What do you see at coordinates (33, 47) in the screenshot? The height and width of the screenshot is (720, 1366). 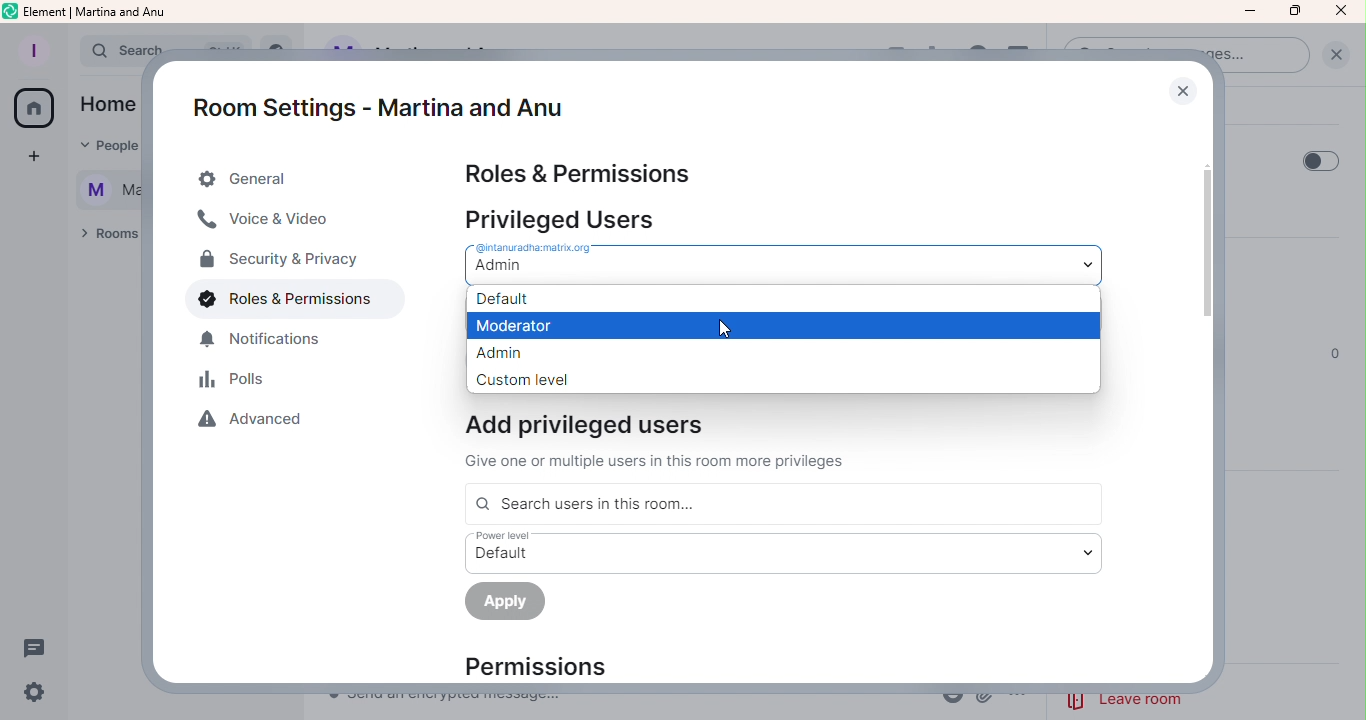 I see `Profile ` at bounding box center [33, 47].